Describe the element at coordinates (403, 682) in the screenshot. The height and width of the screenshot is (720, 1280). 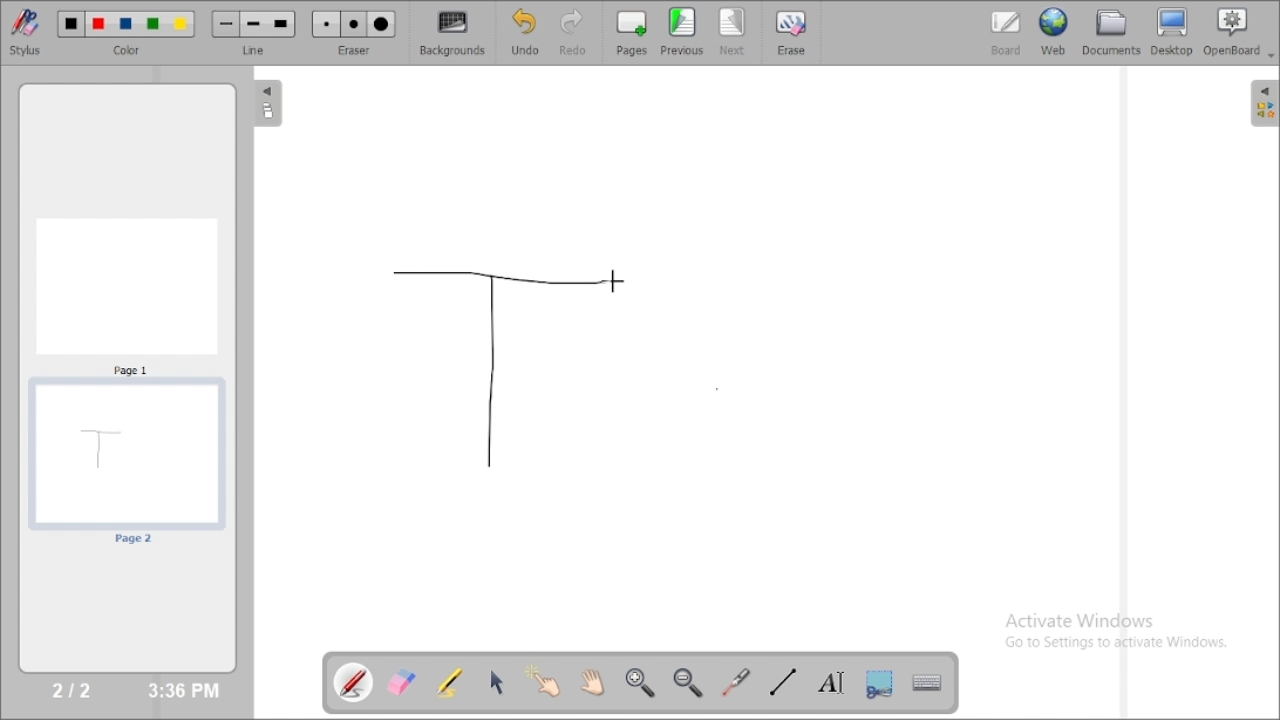
I see `erase annotation` at that location.